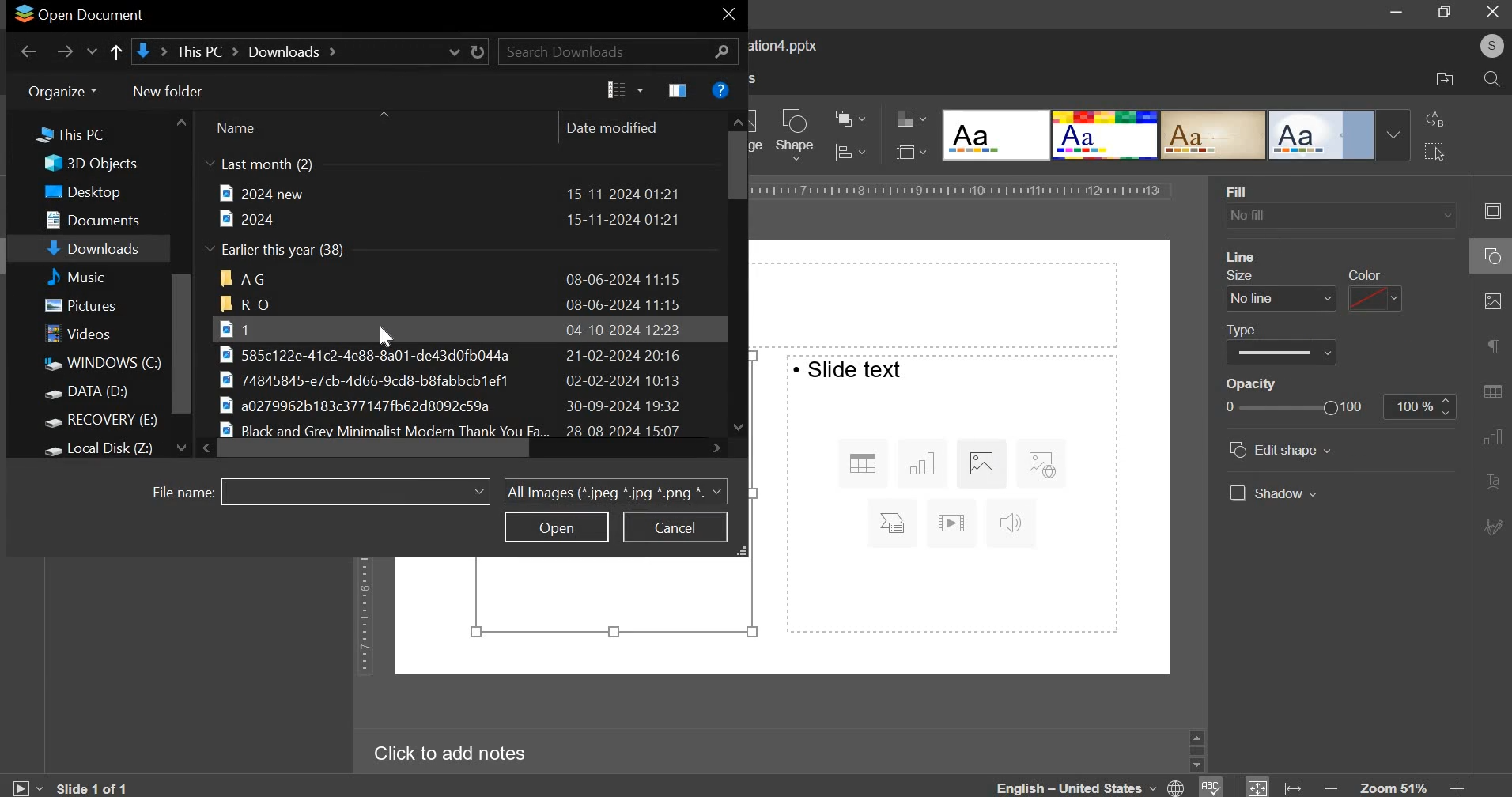 Image resolution: width=1512 pixels, height=797 pixels. Describe the element at coordinates (96, 250) in the screenshot. I see `downloads` at that location.